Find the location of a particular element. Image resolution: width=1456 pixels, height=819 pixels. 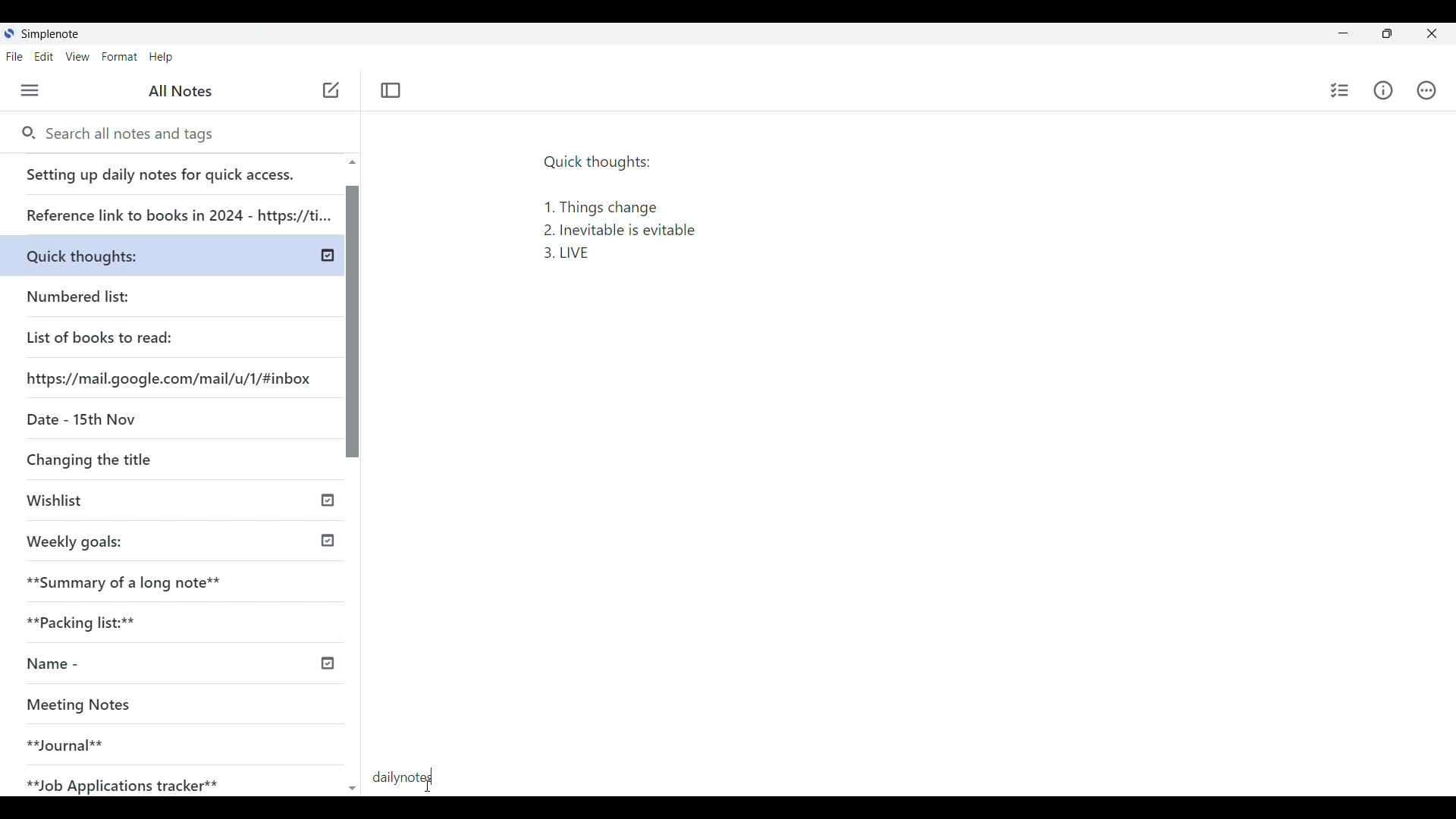

Quick slide to top is located at coordinates (353, 789).